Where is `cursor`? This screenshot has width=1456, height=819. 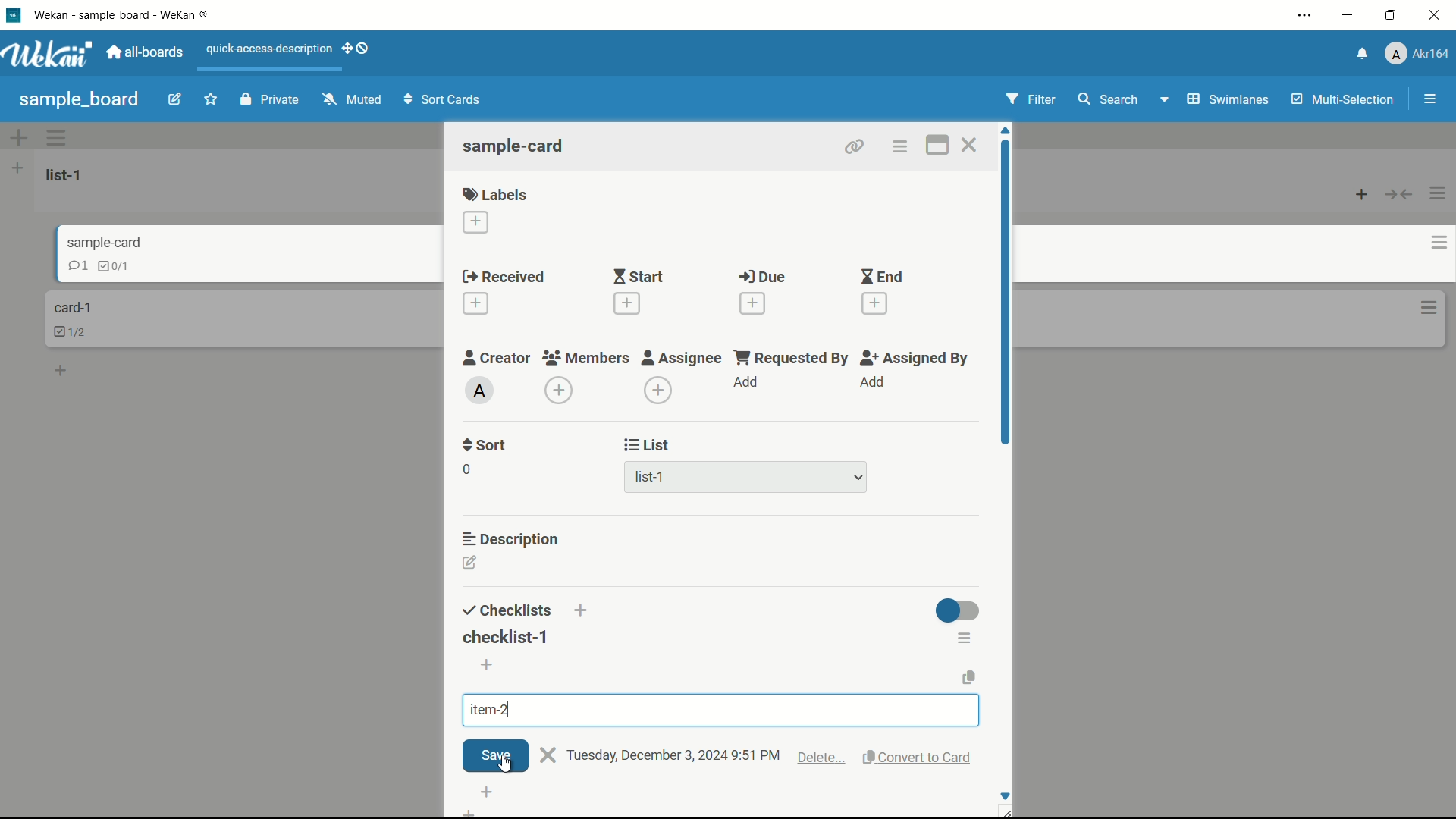 cursor is located at coordinates (507, 765).